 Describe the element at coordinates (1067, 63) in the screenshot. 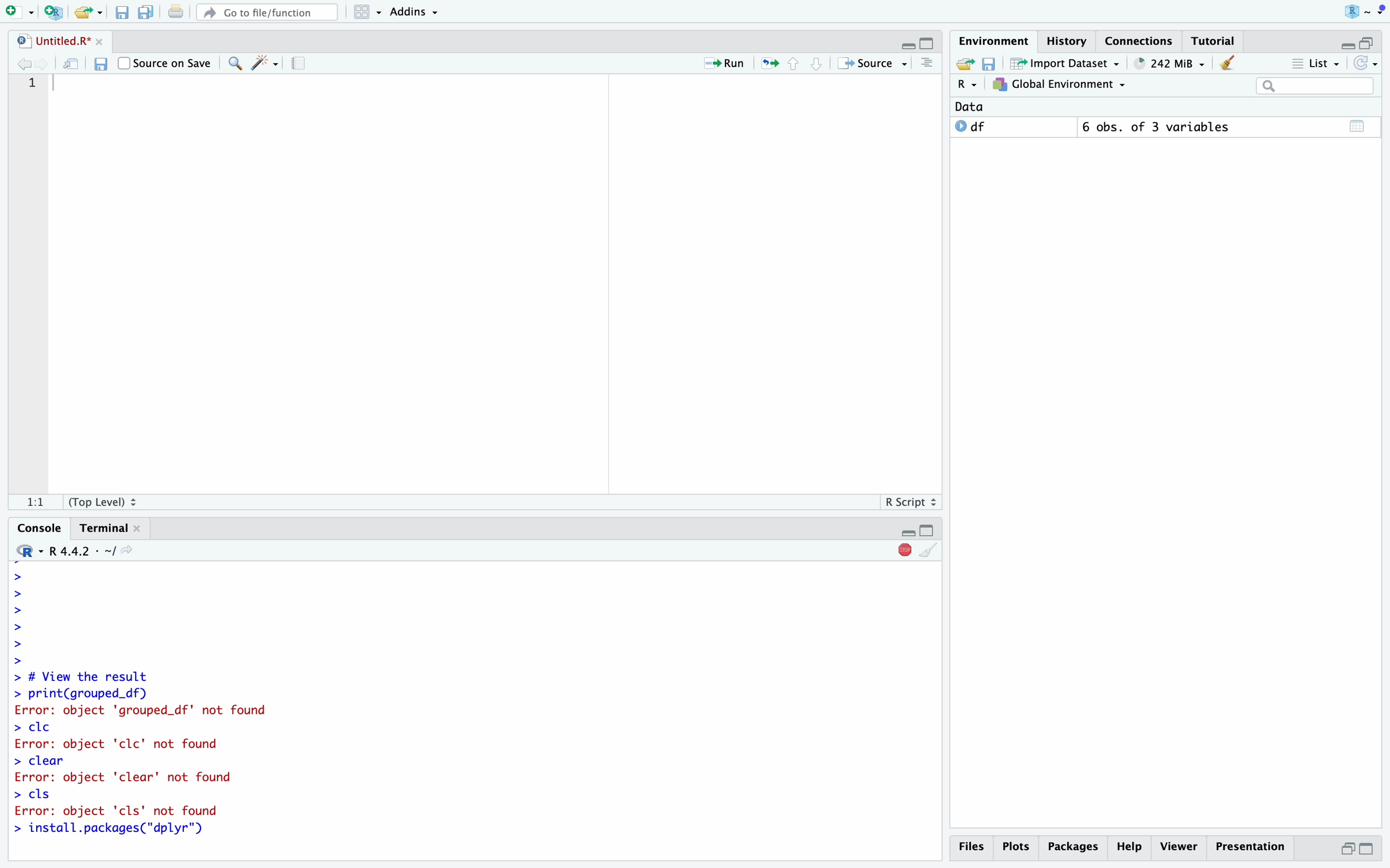

I see `Import Dataset` at that location.